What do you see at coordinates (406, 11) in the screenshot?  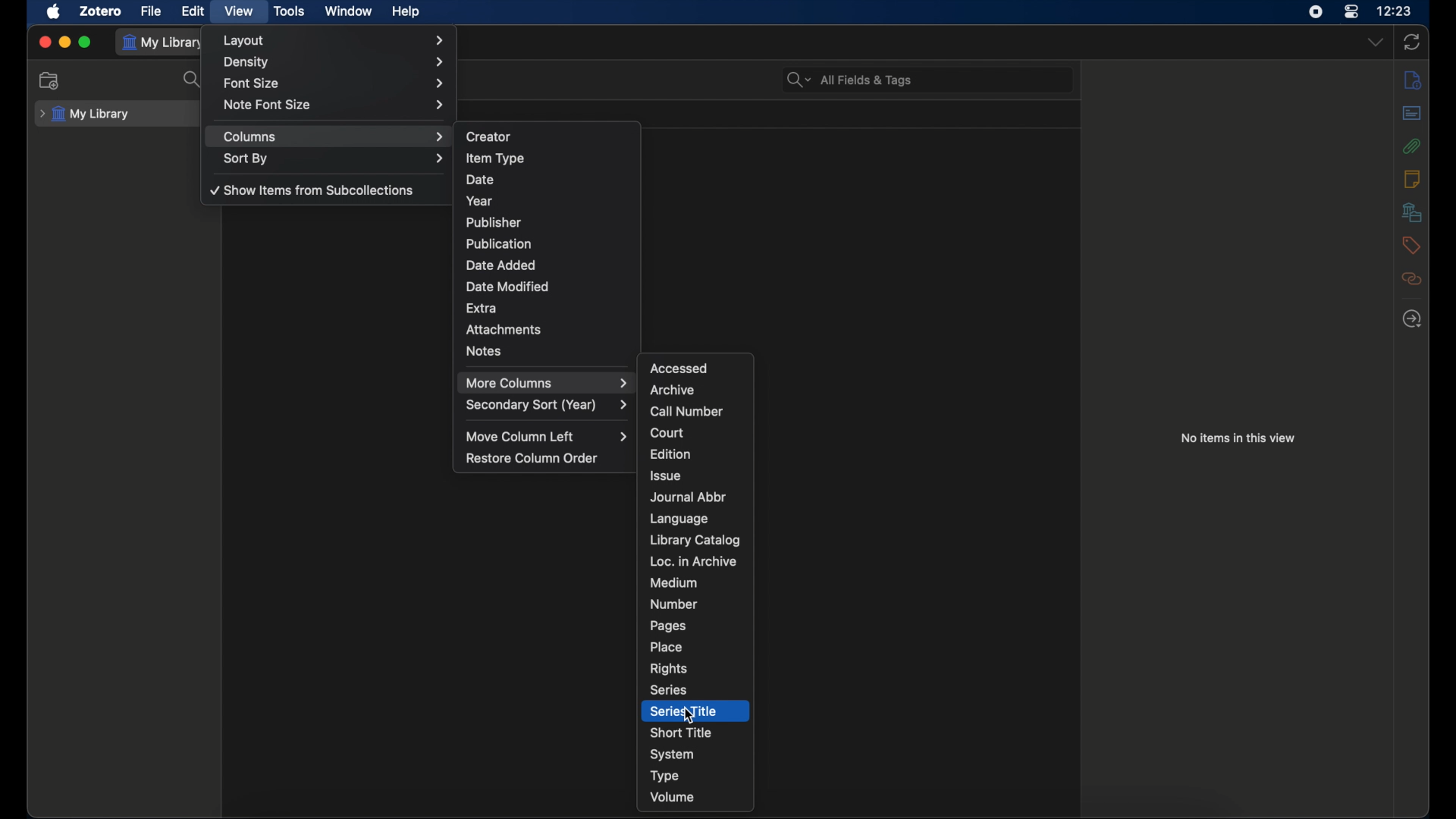 I see `help` at bounding box center [406, 11].